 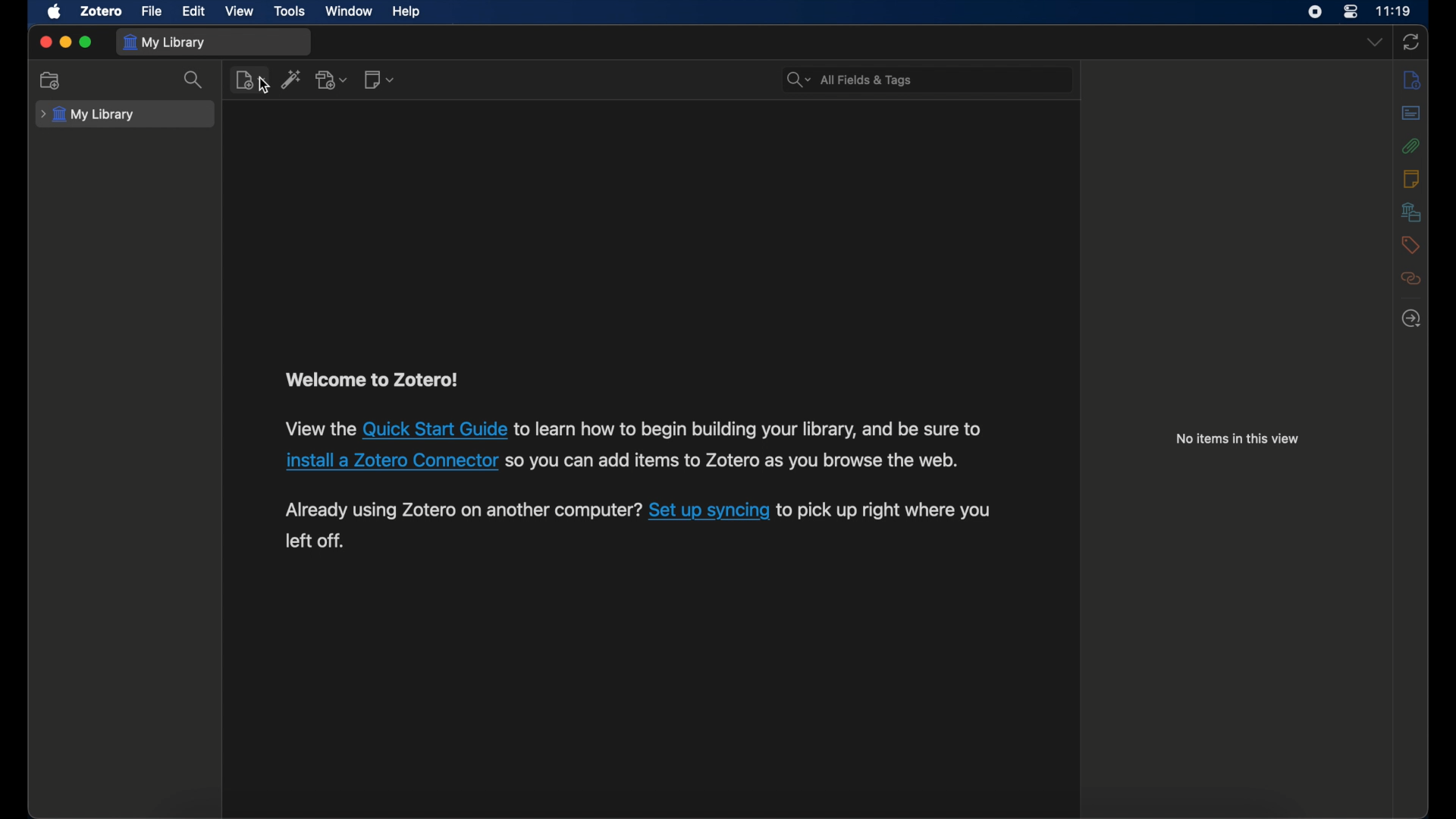 What do you see at coordinates (238, 11) in the screenshot?
I see `view` at bounding box center [238, 11].